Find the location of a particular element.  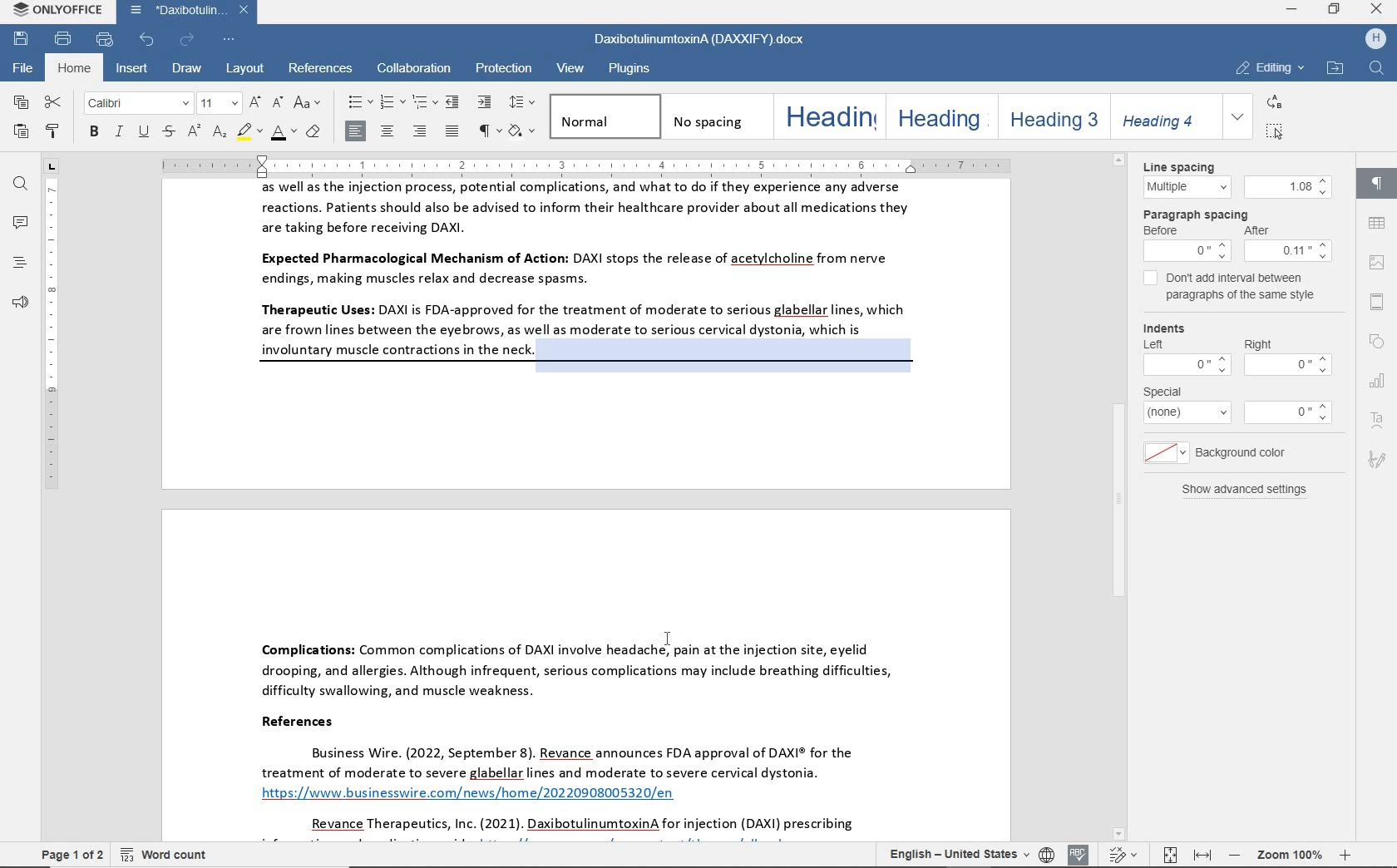

replace is located at coordinates (1272, 101).